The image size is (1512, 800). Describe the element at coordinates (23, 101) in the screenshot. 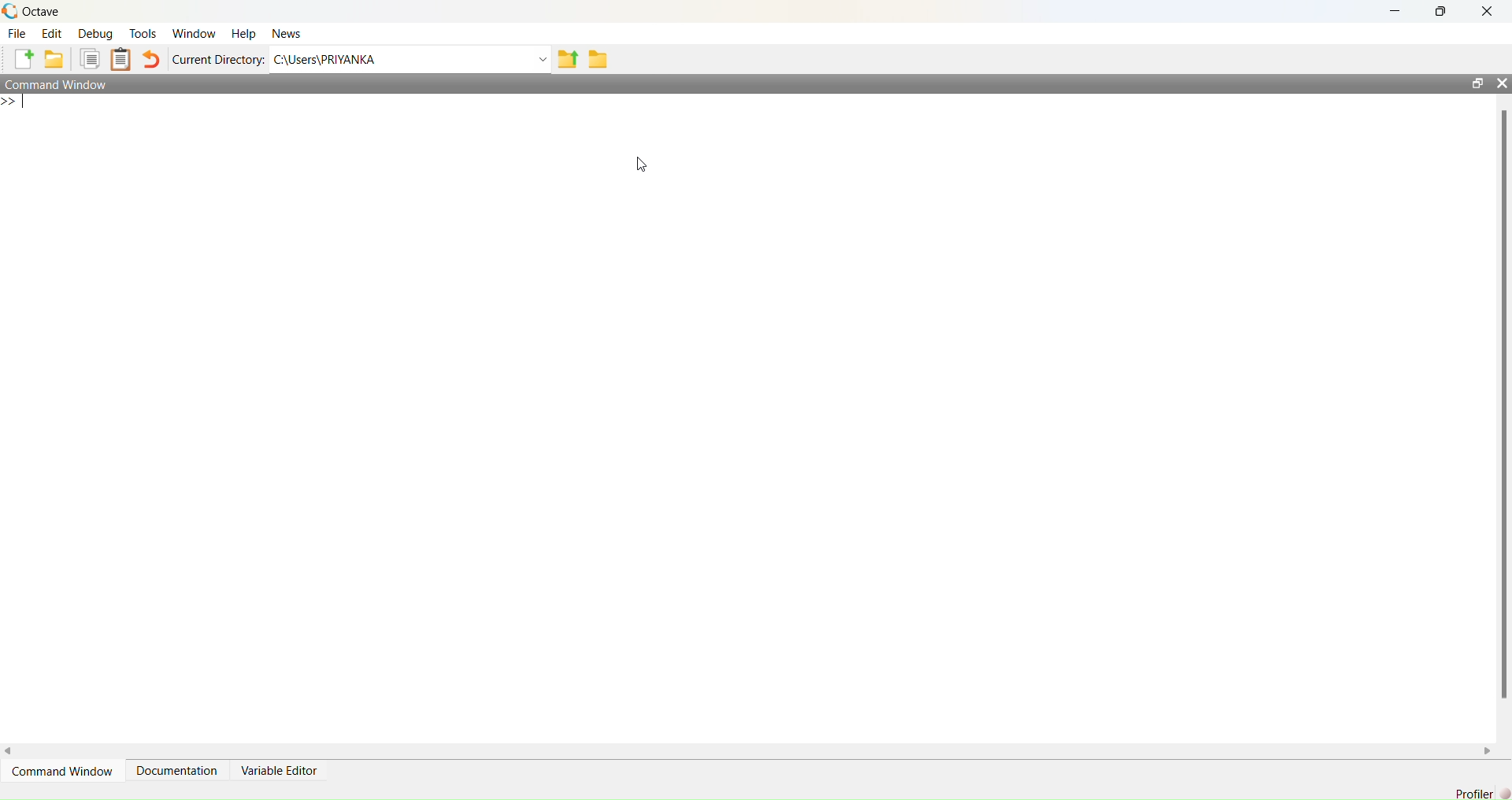

I see `typing indicator` at that location.